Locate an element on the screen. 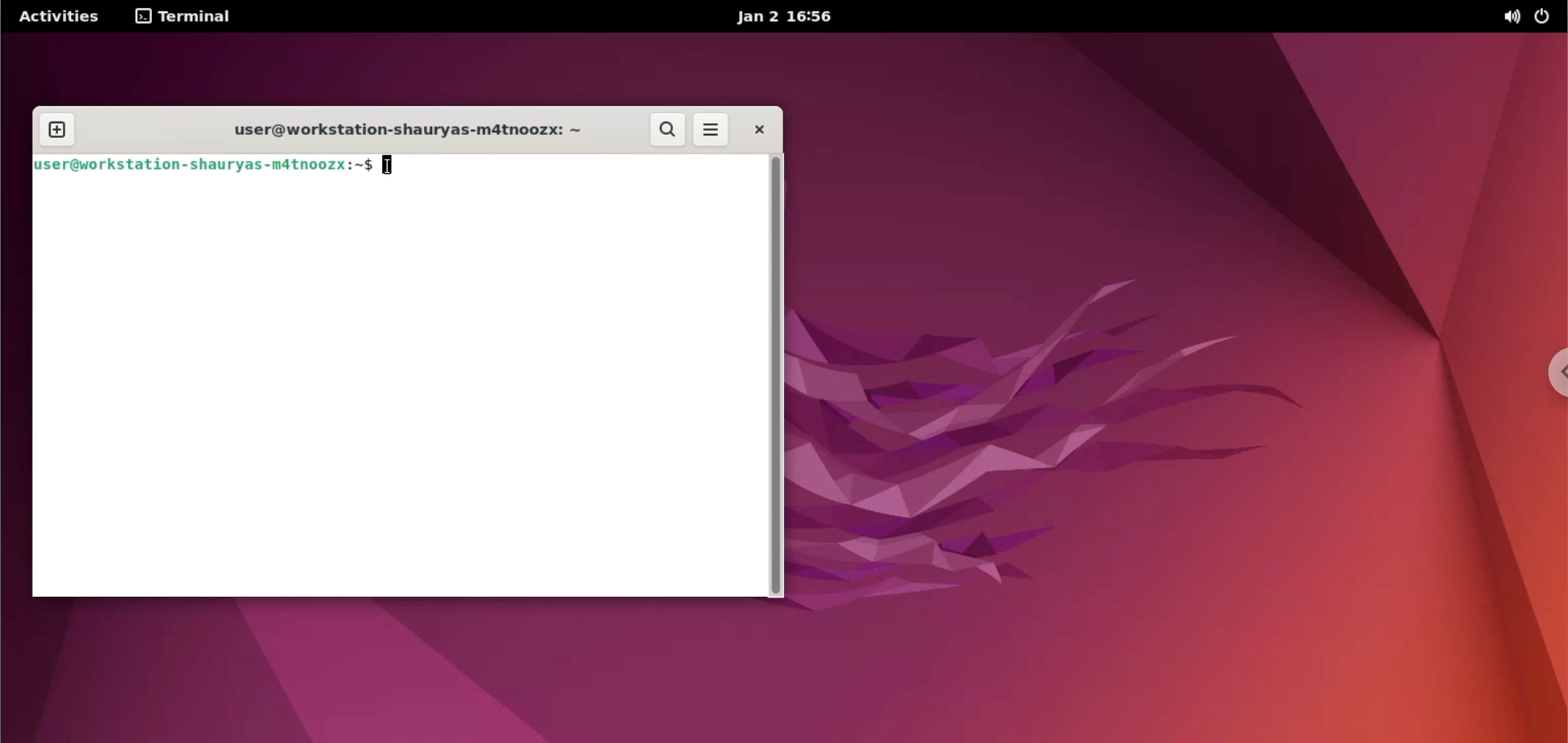 The width and height of the screenshot is (1568, 743). new tab is located at coordinates (57, 126).